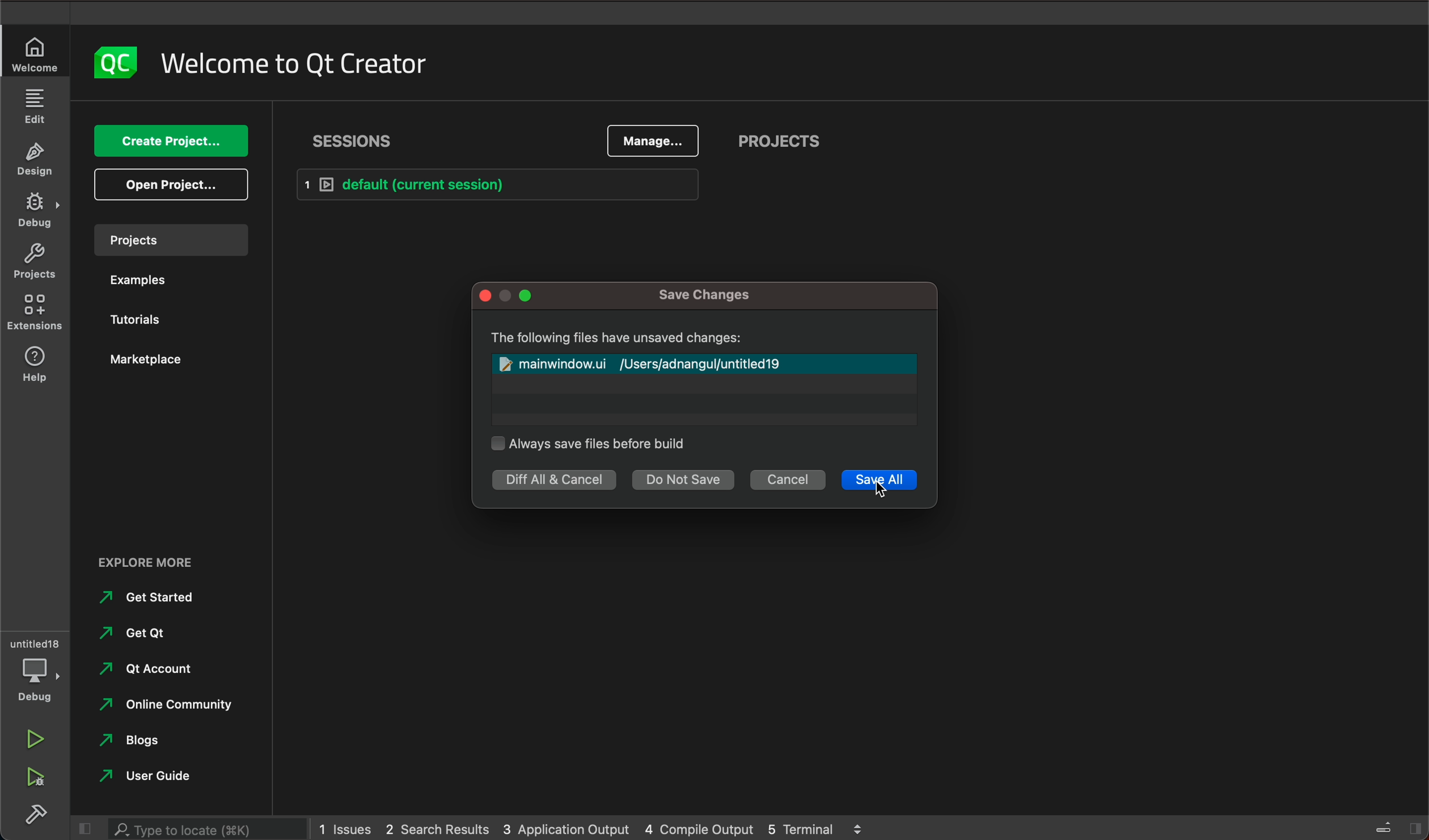  Describe the element at coordinates (344, 826) in the screenshot. I see `1 issues` at that location.